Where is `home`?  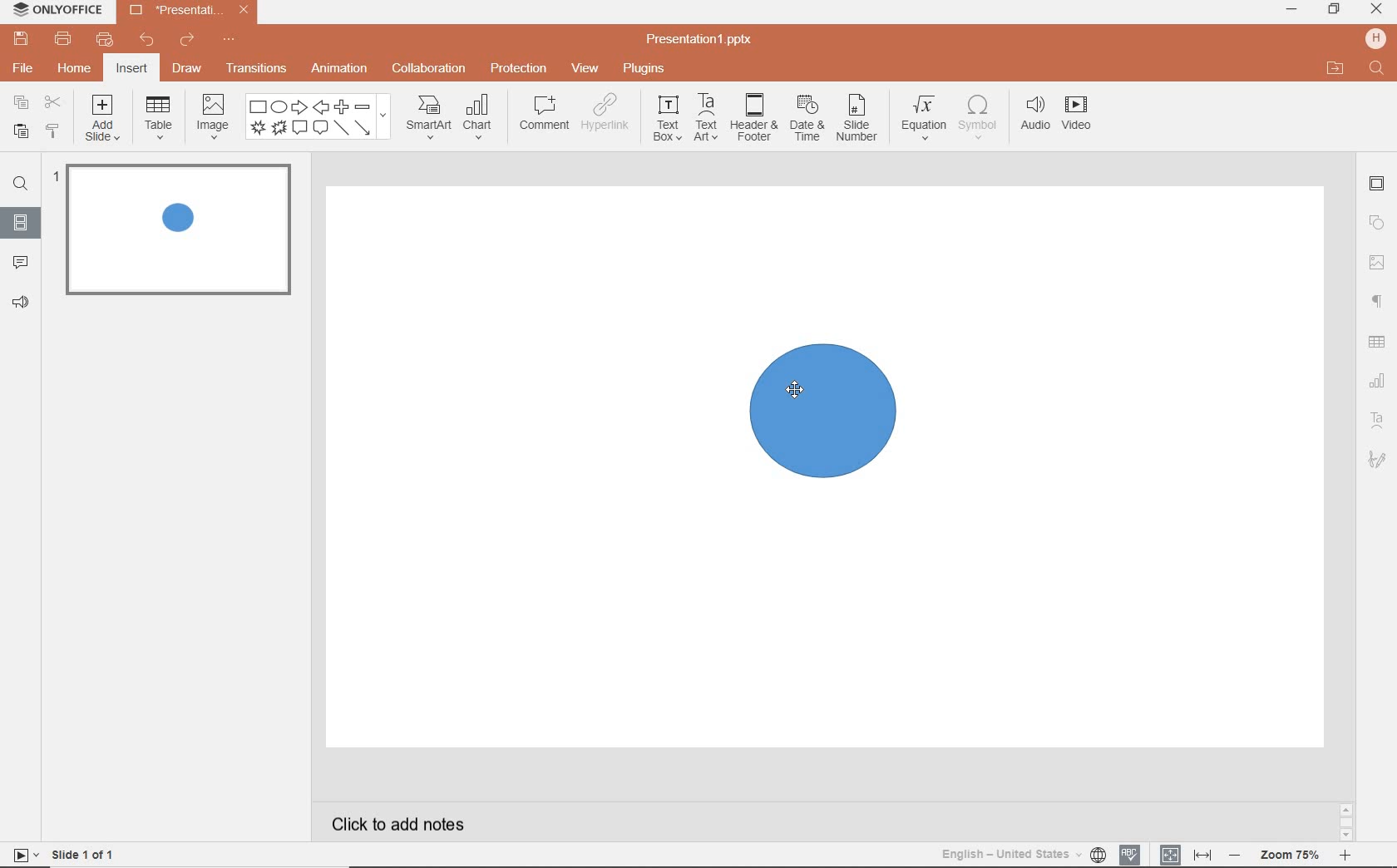 home is located at coordinates (77, 69).